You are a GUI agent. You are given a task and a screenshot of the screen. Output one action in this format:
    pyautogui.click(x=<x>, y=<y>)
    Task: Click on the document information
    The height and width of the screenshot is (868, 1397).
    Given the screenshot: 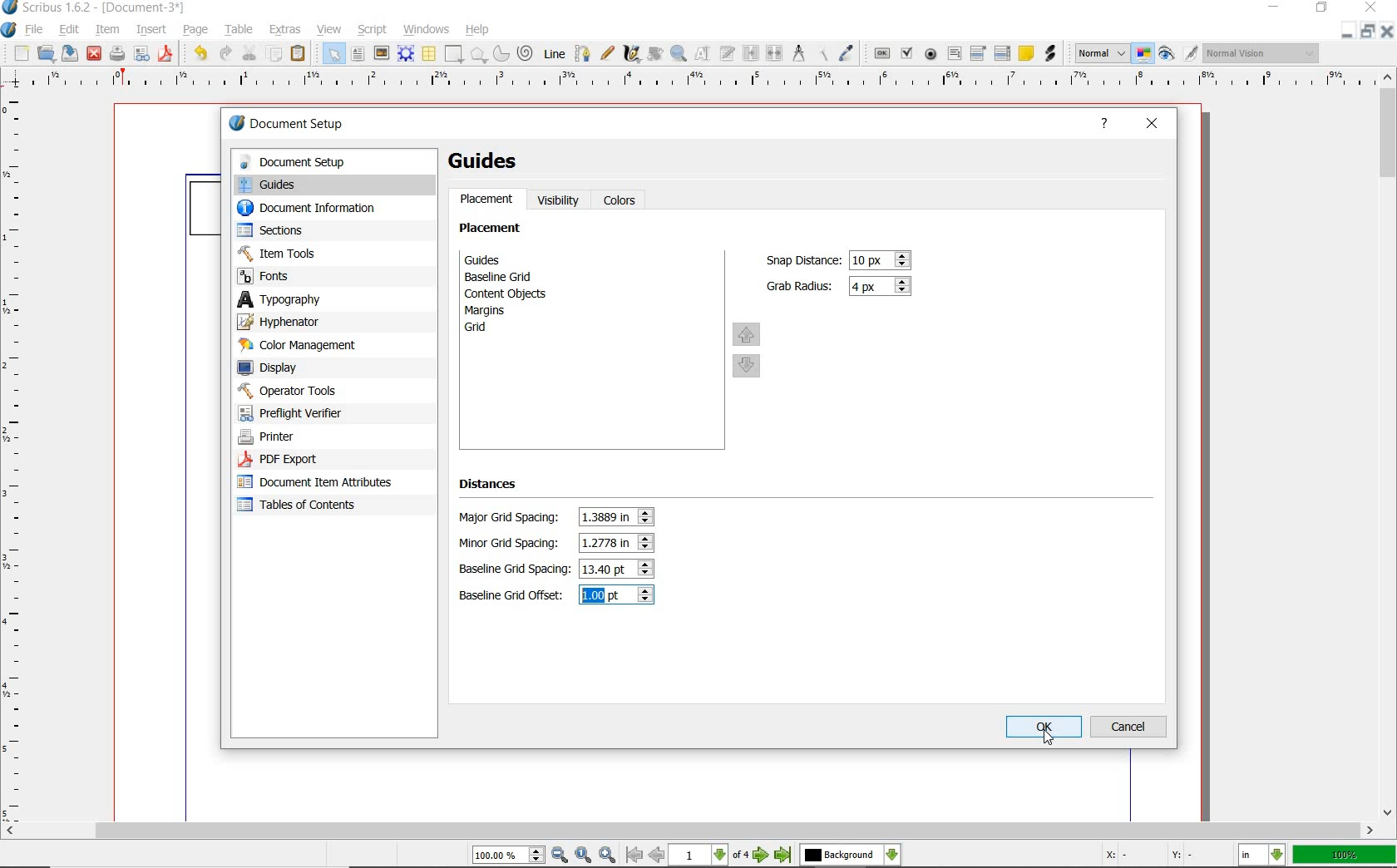 What is the action you would take?
    pyautogui.click(x=323, y=210)
    